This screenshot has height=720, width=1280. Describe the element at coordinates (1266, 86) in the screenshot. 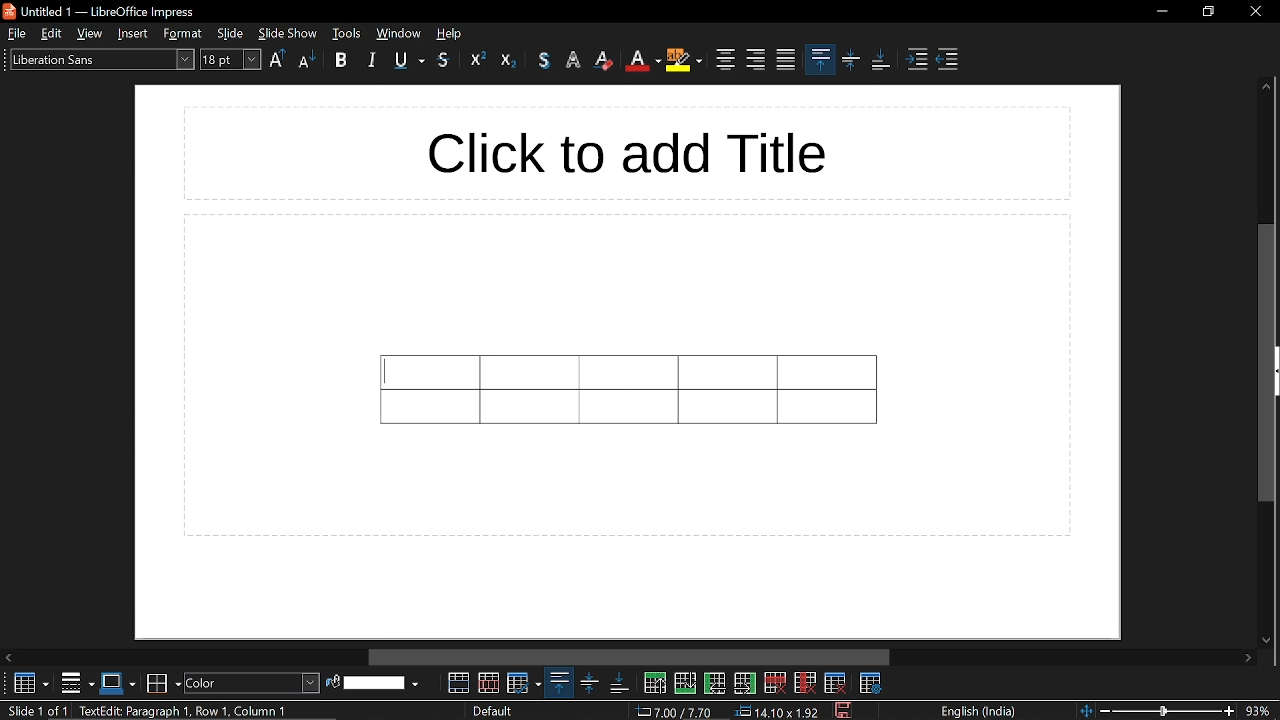

I see `move up` at that location.